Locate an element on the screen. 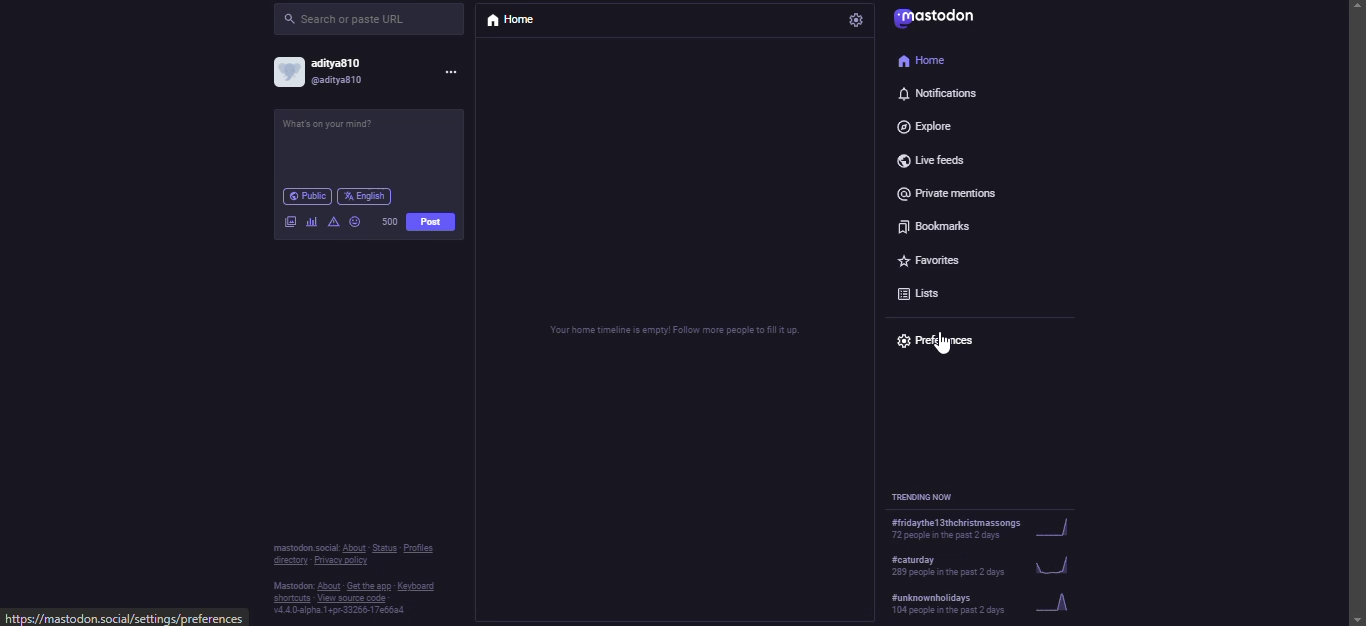  lists is located at coordinates (917, 291).